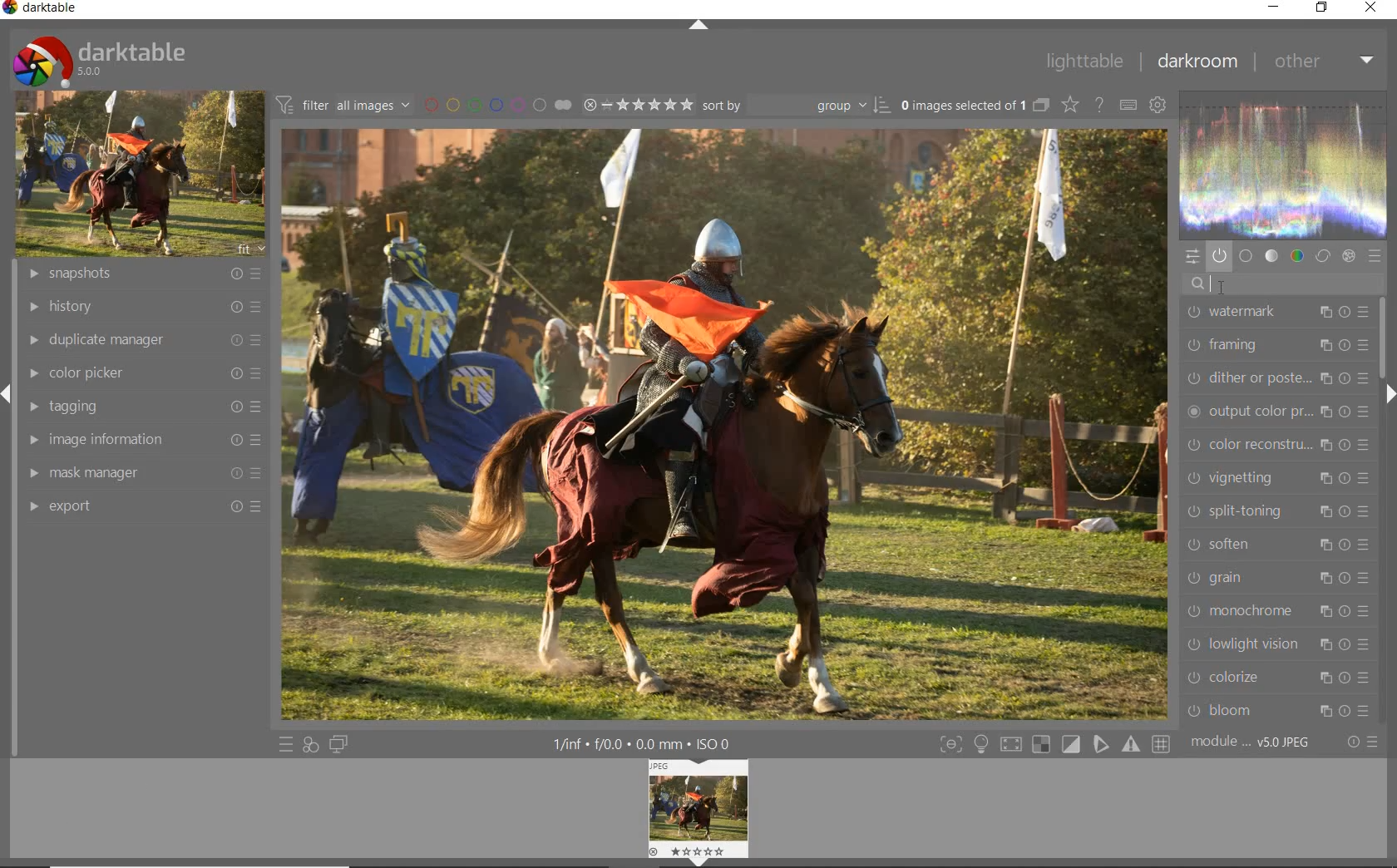 Image resolution: width=1397 pixels, height=868 pixels. Describe the element at coordinates (1281, 611) in the screenshot. I see `monochrome` at that location.